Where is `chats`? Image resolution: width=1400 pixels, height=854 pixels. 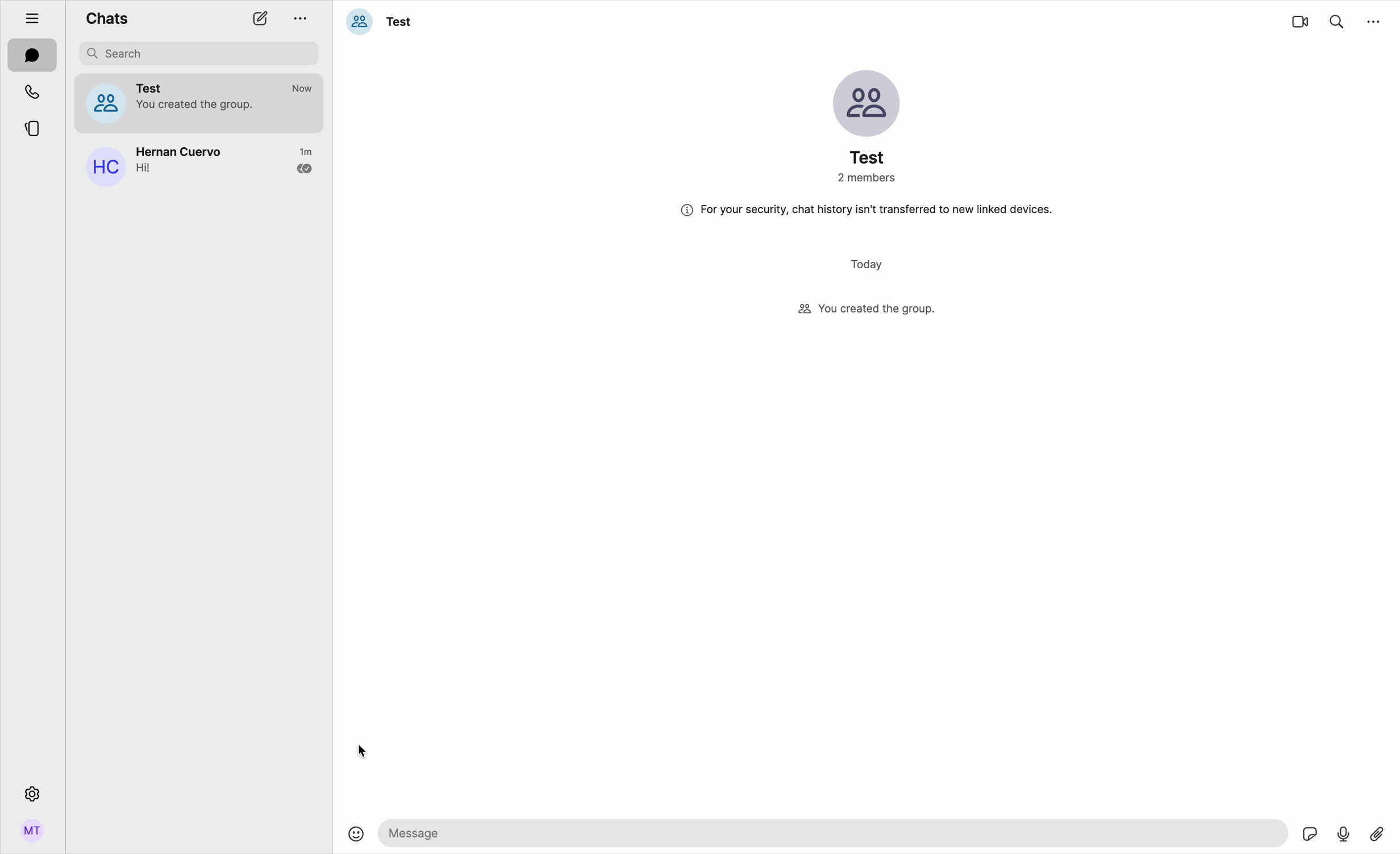
chats is located at coordinates (107, 19).